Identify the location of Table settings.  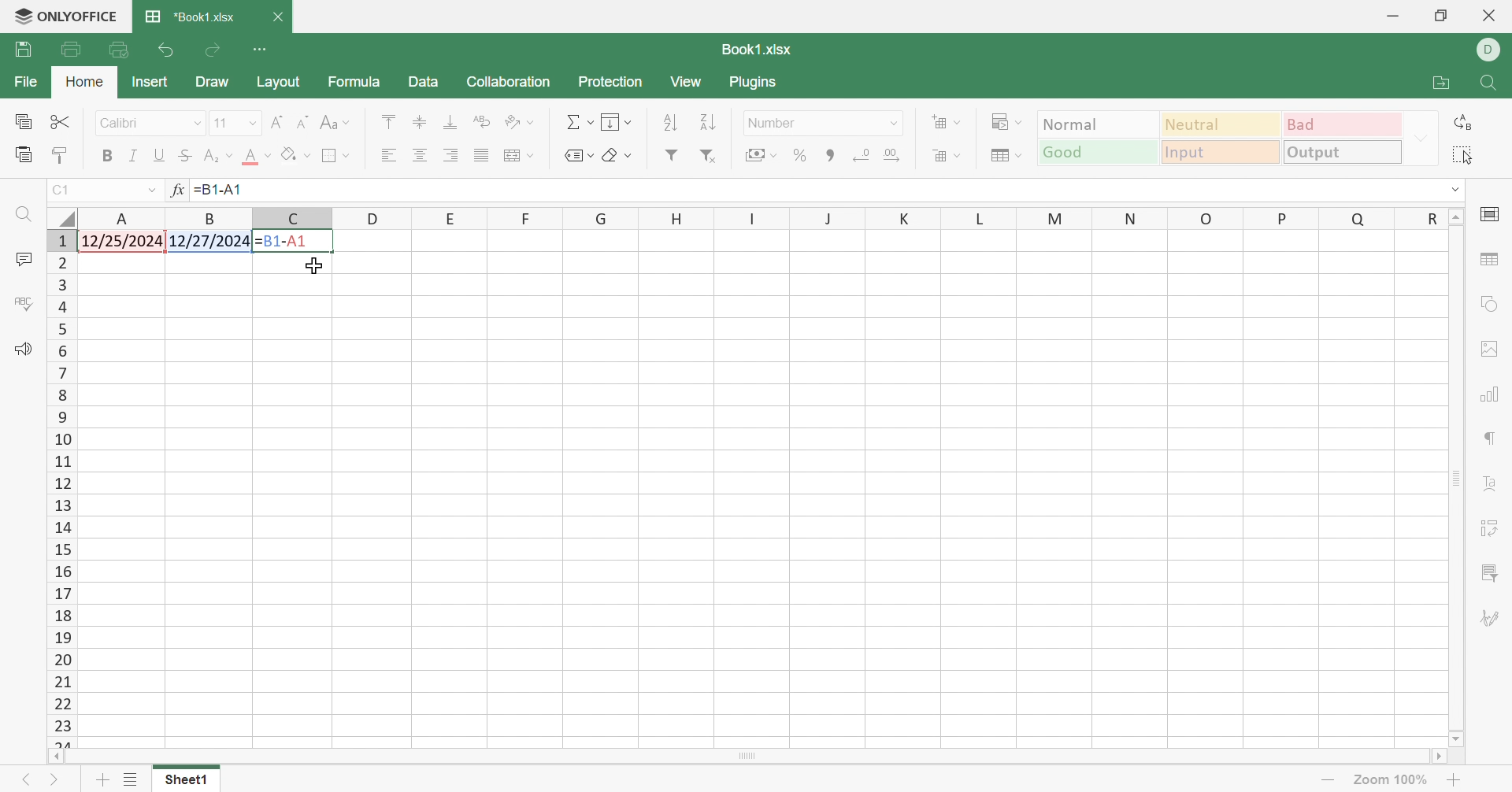
(1488, 263).